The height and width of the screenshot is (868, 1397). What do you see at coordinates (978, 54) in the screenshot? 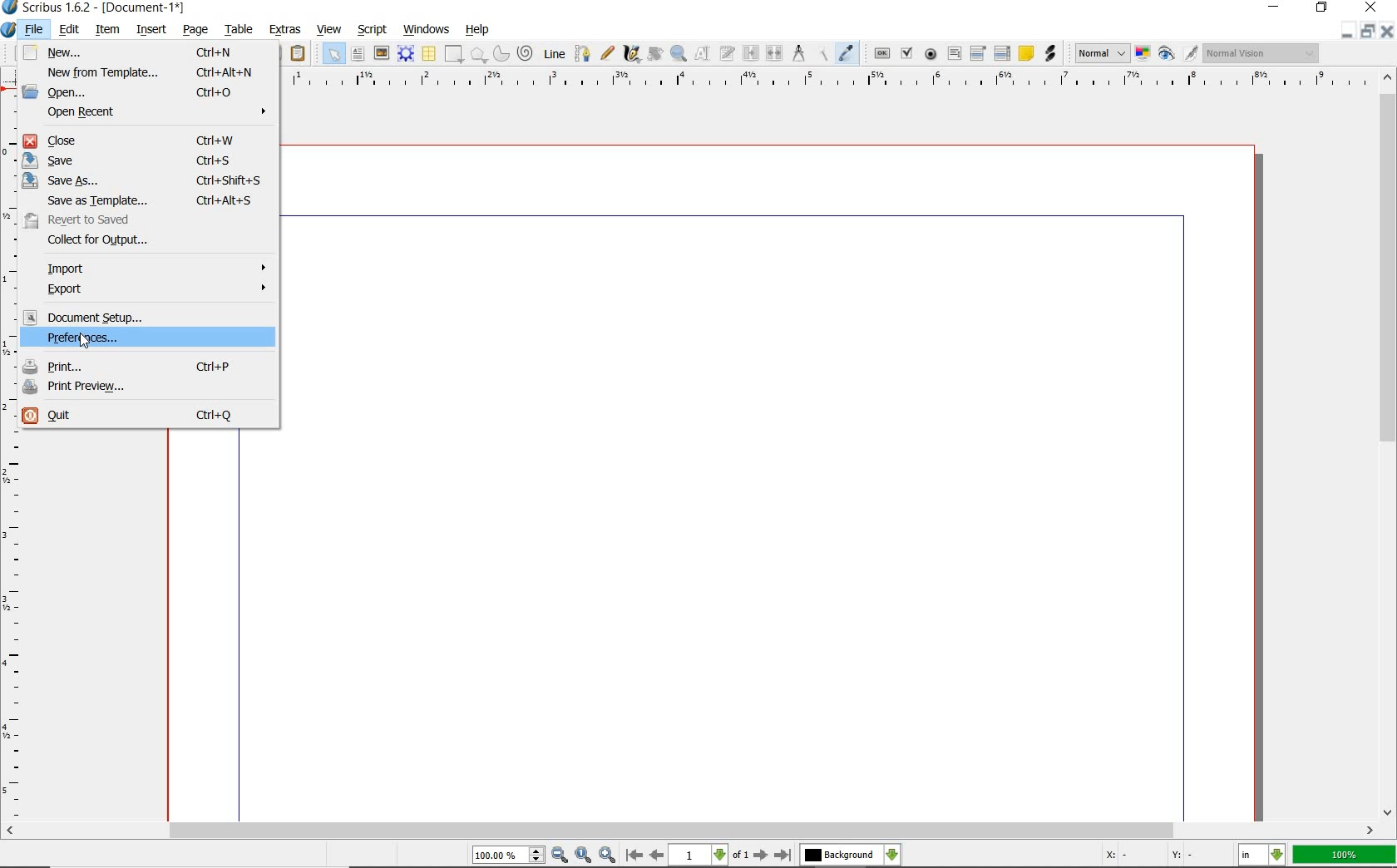
I see `pdf combo box` at bounding box center [978, 54].